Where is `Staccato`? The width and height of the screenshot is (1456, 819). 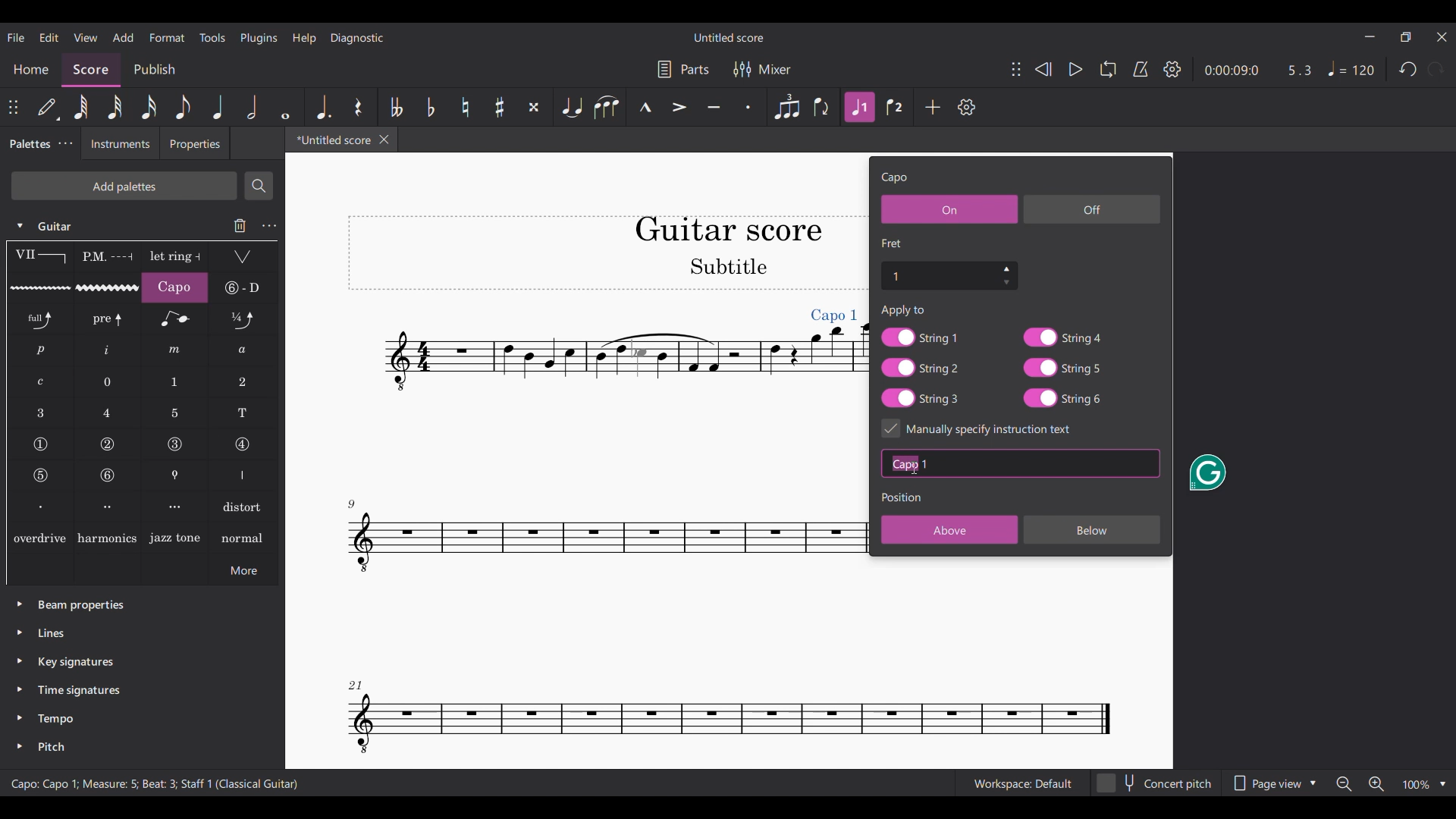 Staccato is located at coordinates (748, 107).